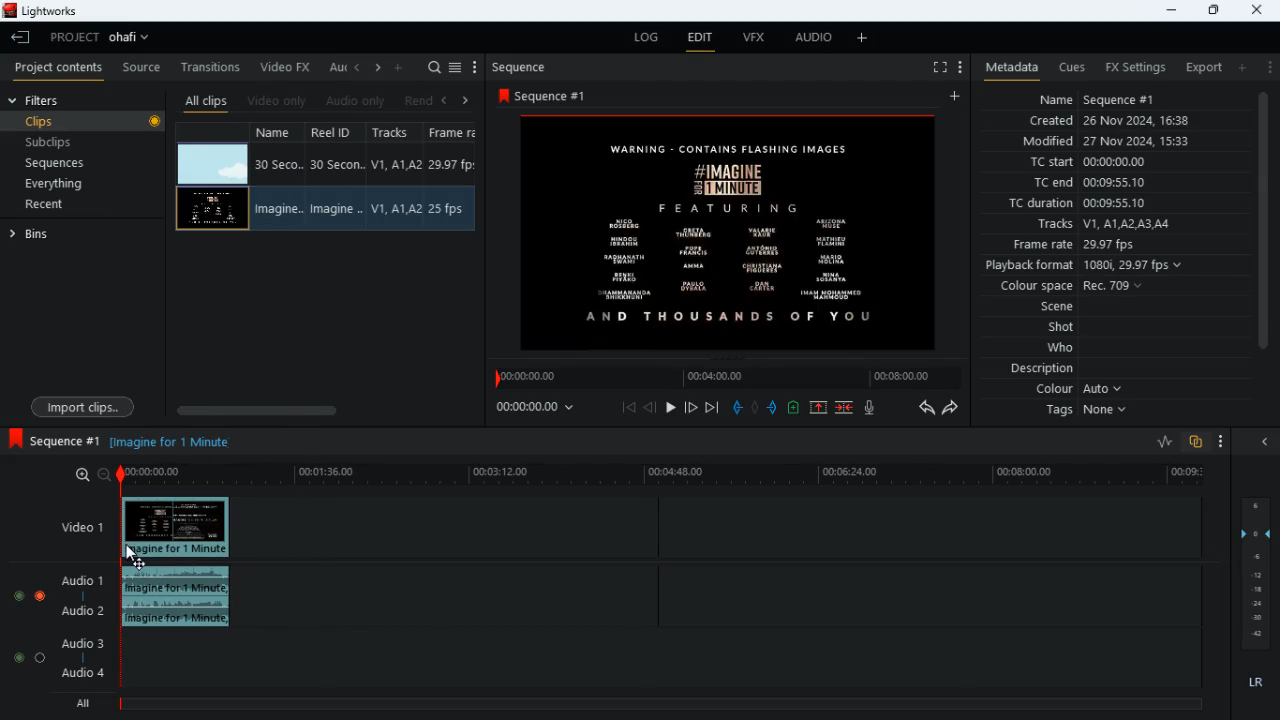 This screenshot has height=720, width=1280. I want to click on sequence, so click(55, 438).